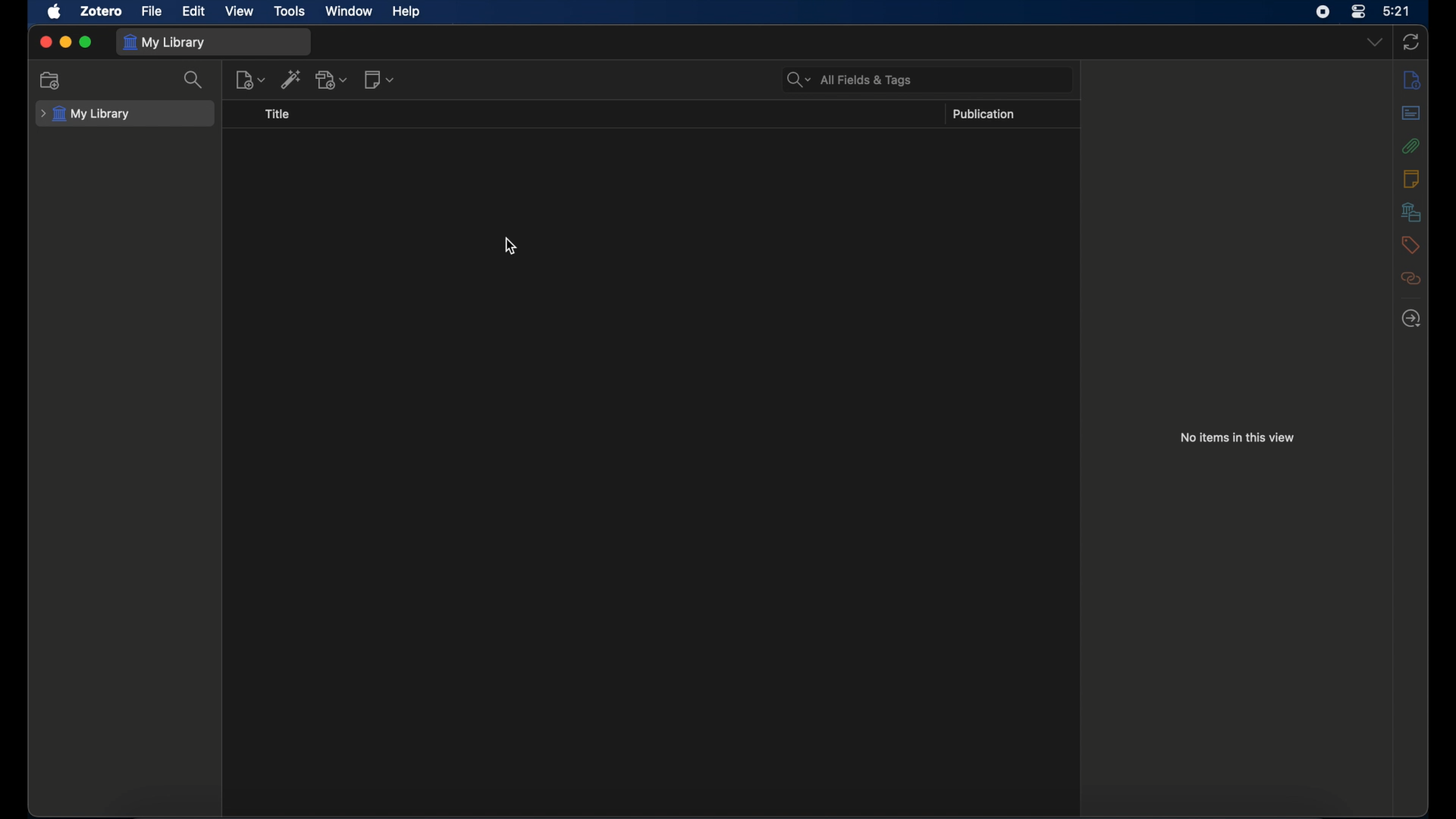 The height and width of the screenshot is (819, 1456). I want to click on edit, so click(195, 12).